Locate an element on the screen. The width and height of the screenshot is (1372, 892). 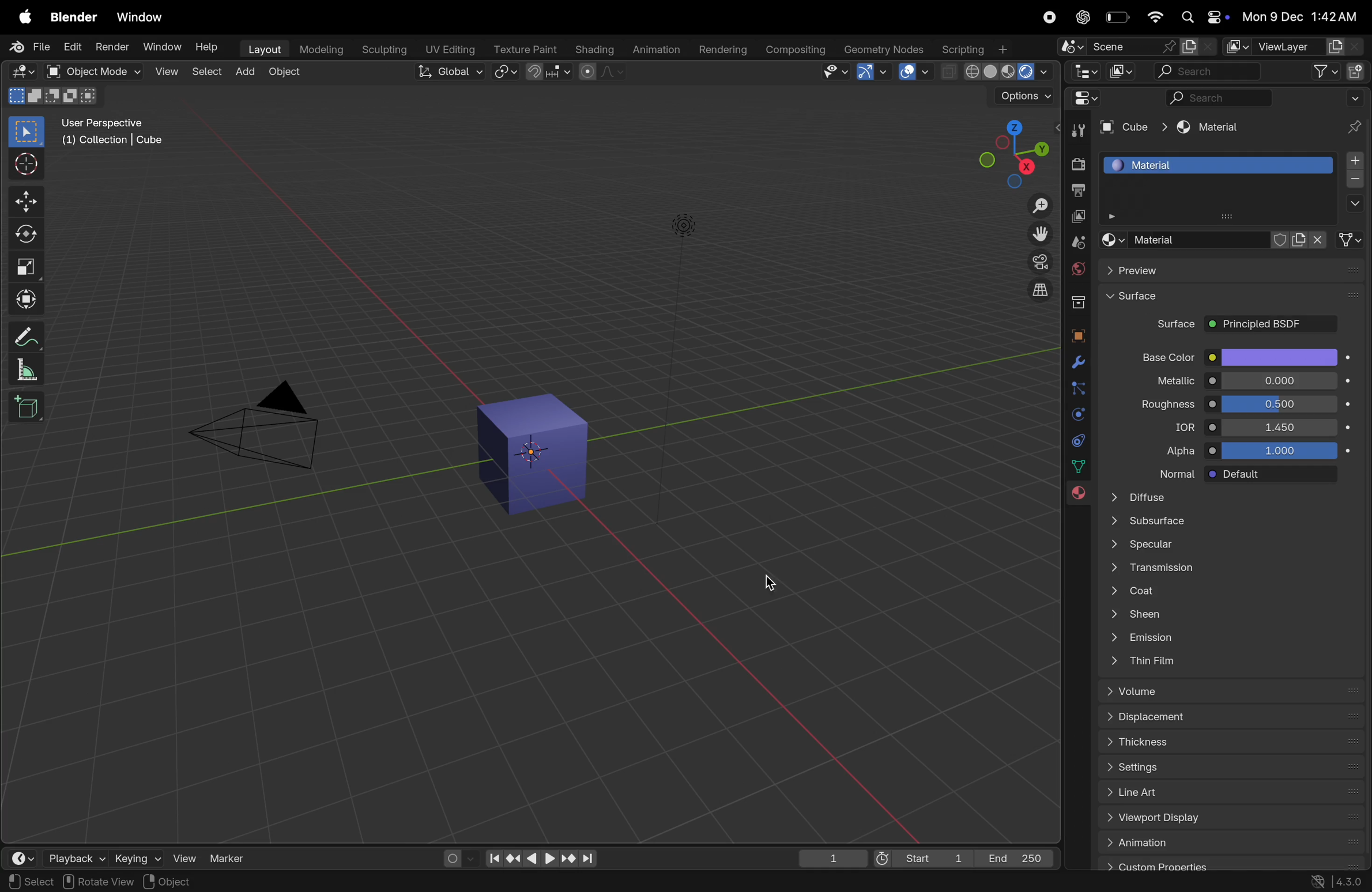
measure  is located at coordinates (24, 369).